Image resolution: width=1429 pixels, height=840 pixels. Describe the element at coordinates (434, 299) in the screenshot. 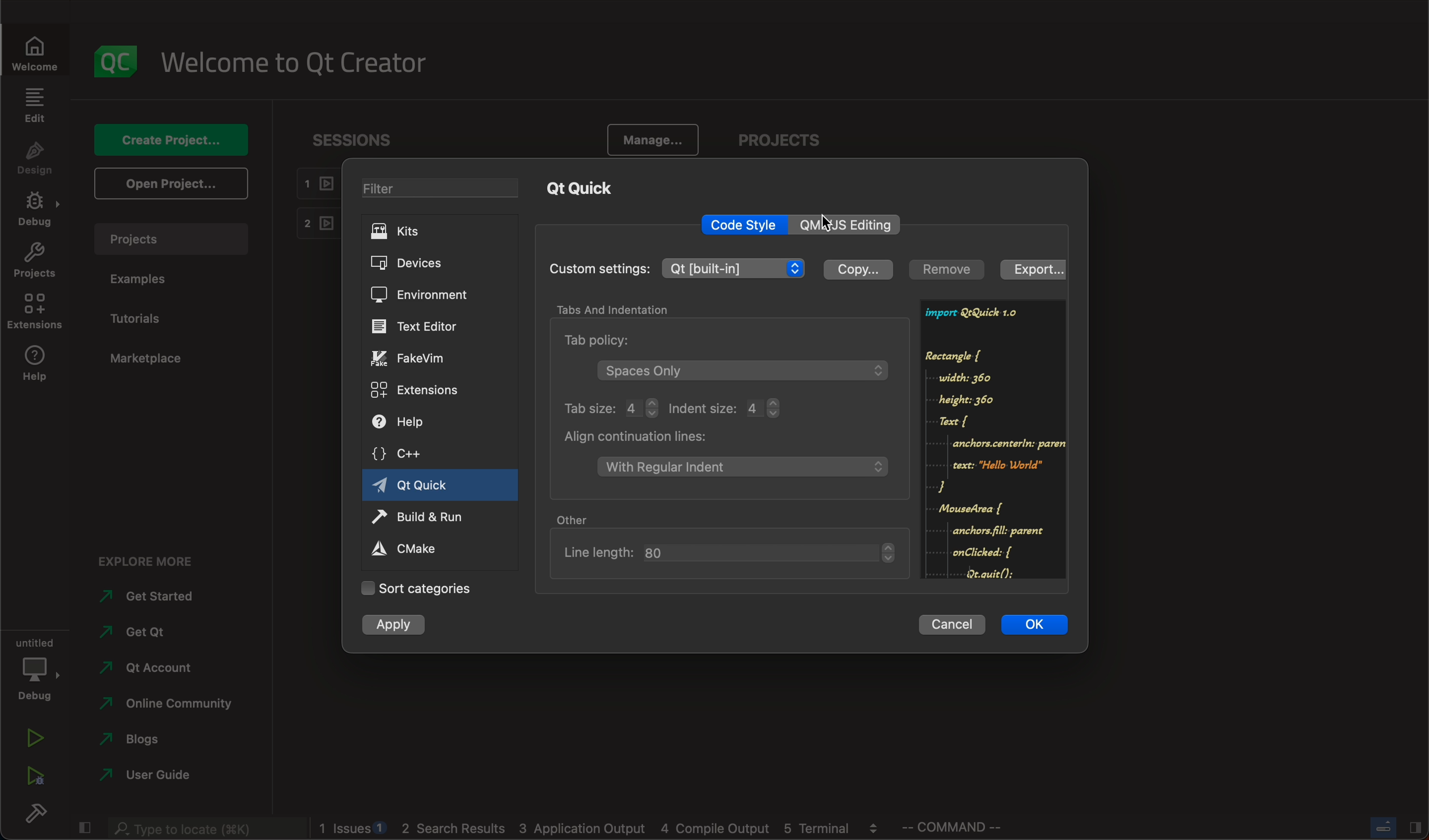

I see `environment` at that location.